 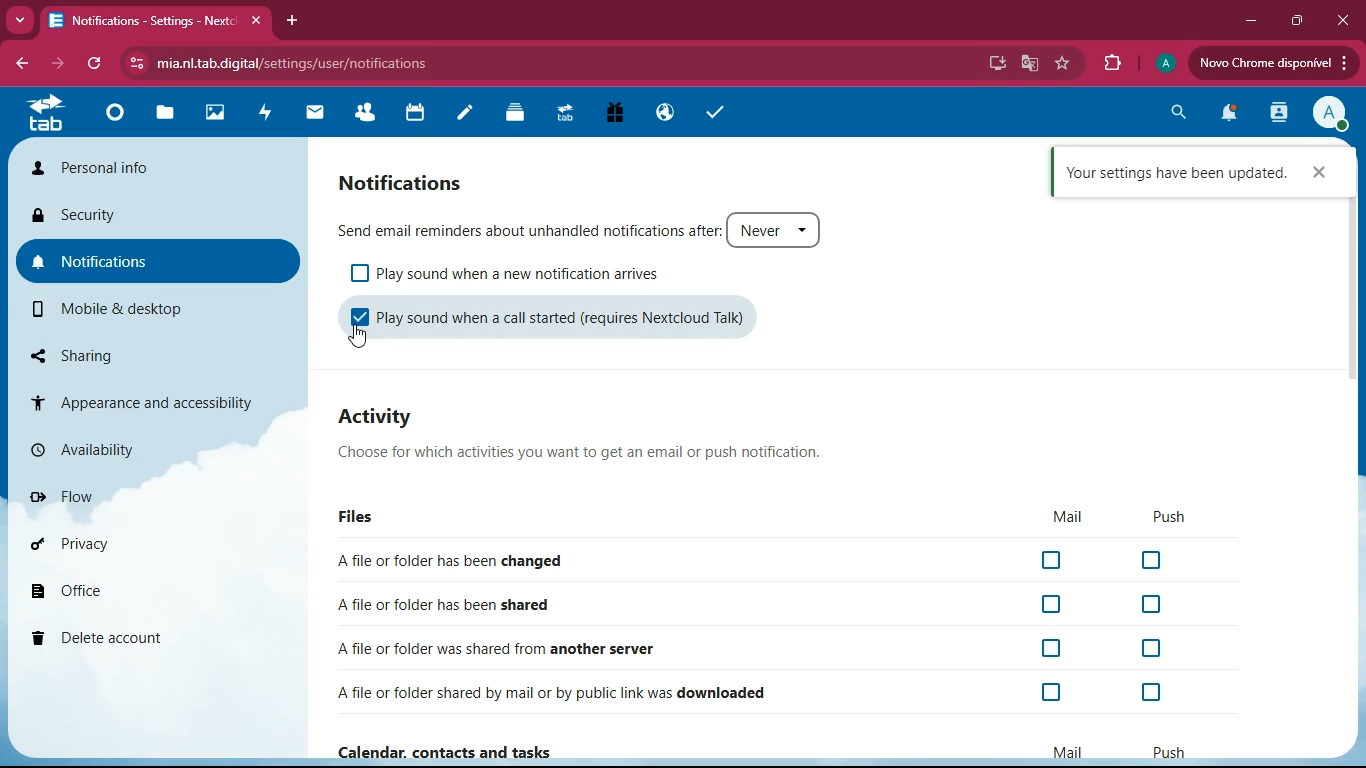 I want to click on desktop, so click(x=994, y=63).